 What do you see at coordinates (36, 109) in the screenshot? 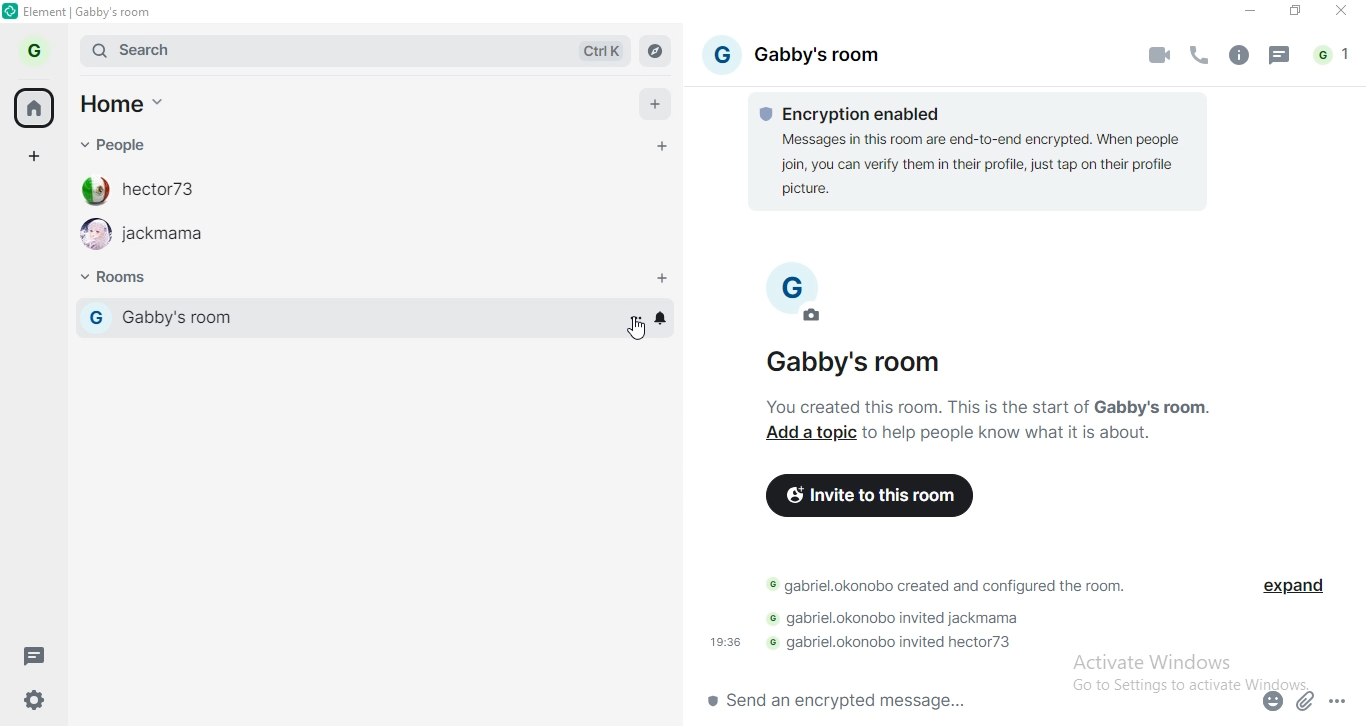
I see `home button` at bounding box center [36, 109].